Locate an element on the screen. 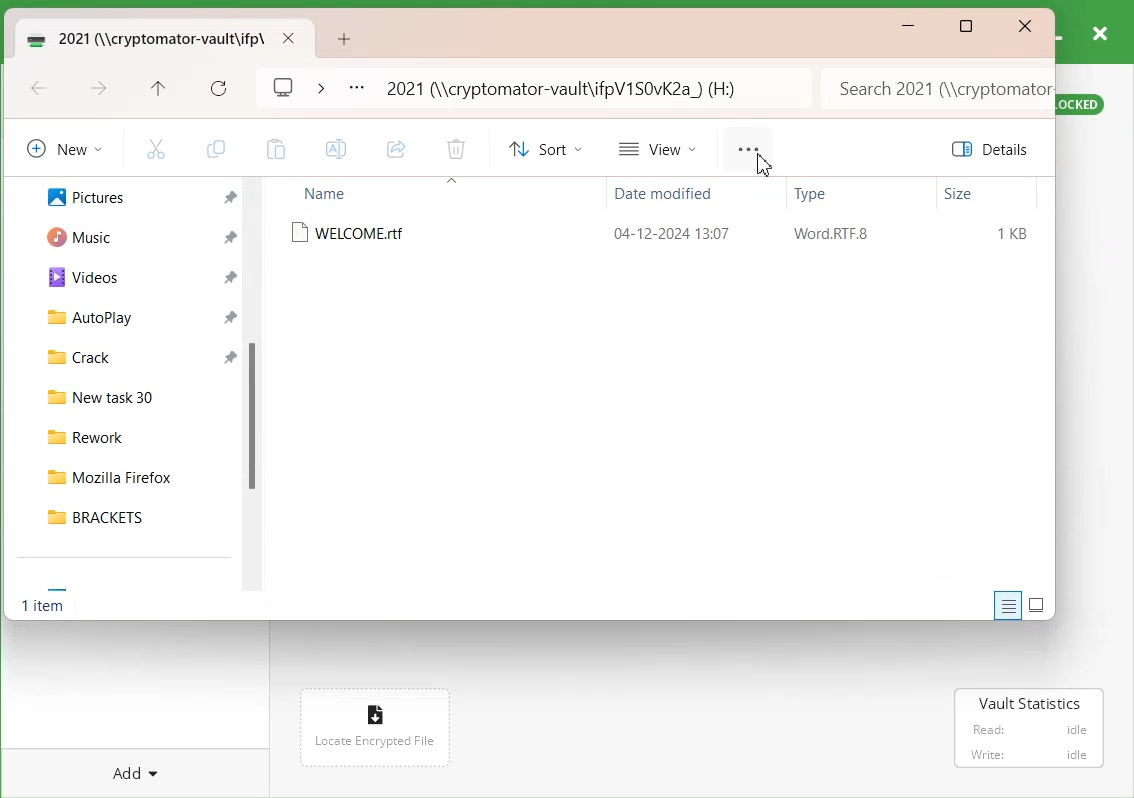 This screenshot has height=798, width=1134. Rename is located at coordinates (337, 149).